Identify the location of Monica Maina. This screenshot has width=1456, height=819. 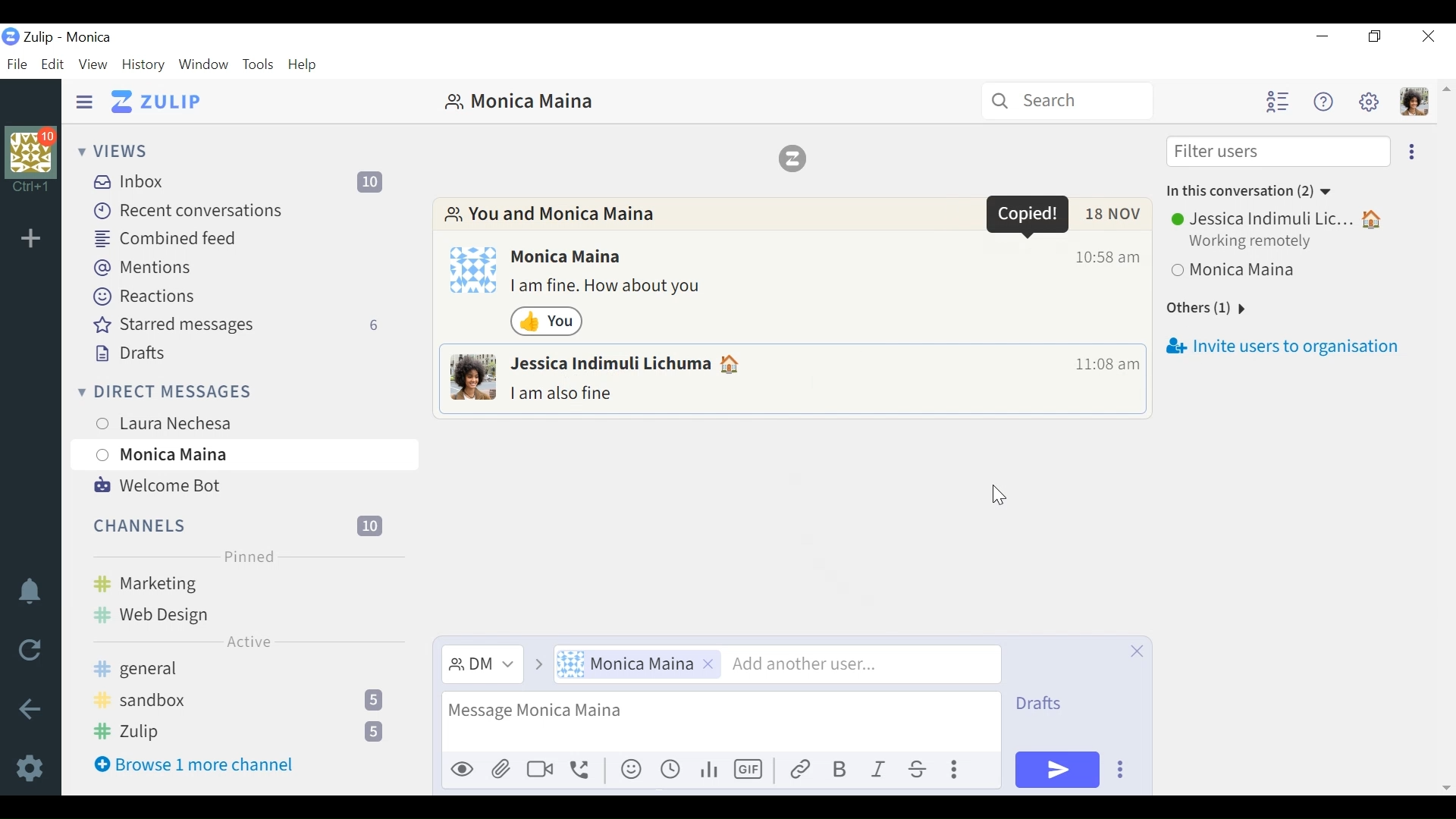
(518, 101).